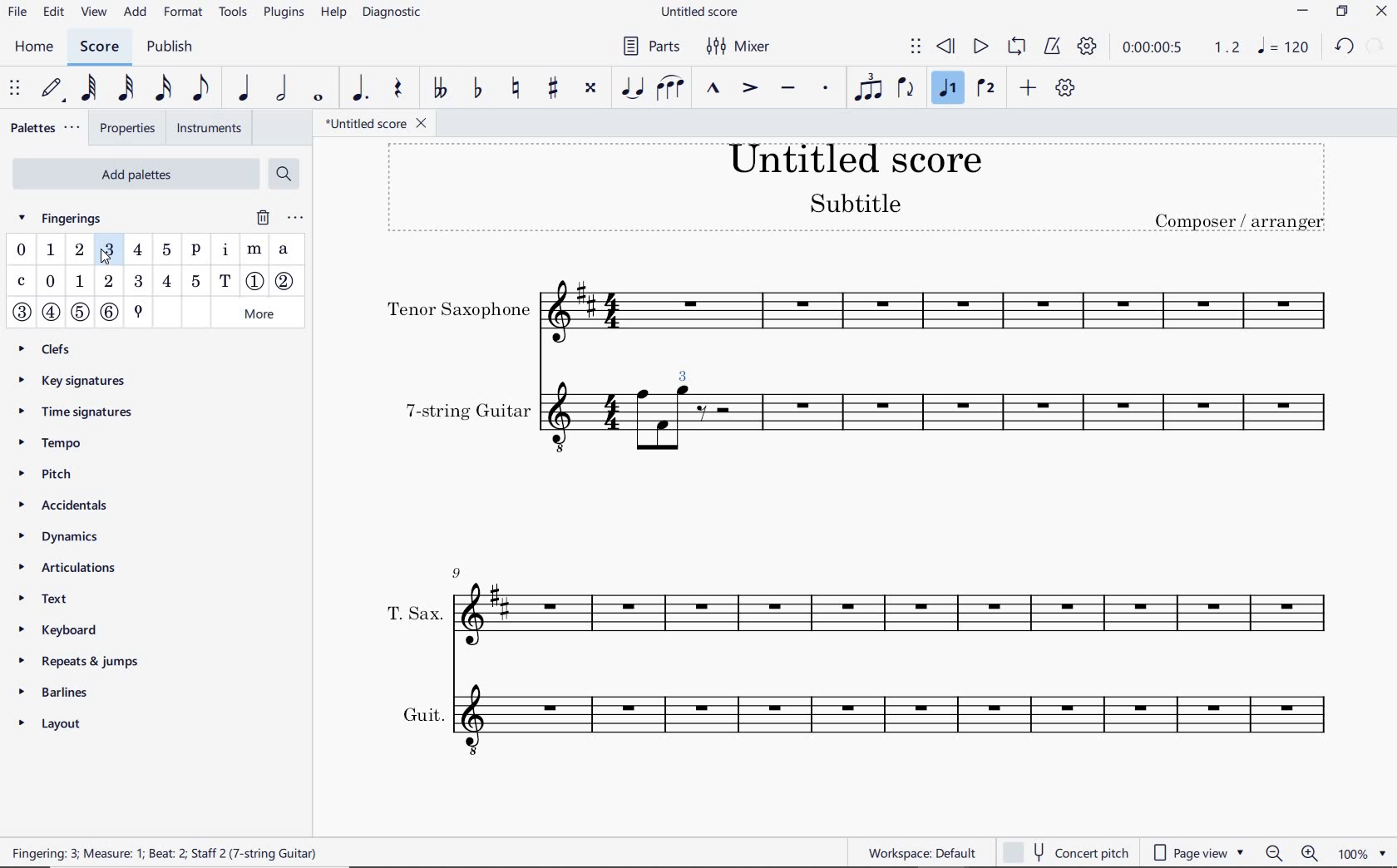  Describe the element at coordinates (1087, 47) in the screenshot. I see `PLAYBACK SETTINGS` at that location.